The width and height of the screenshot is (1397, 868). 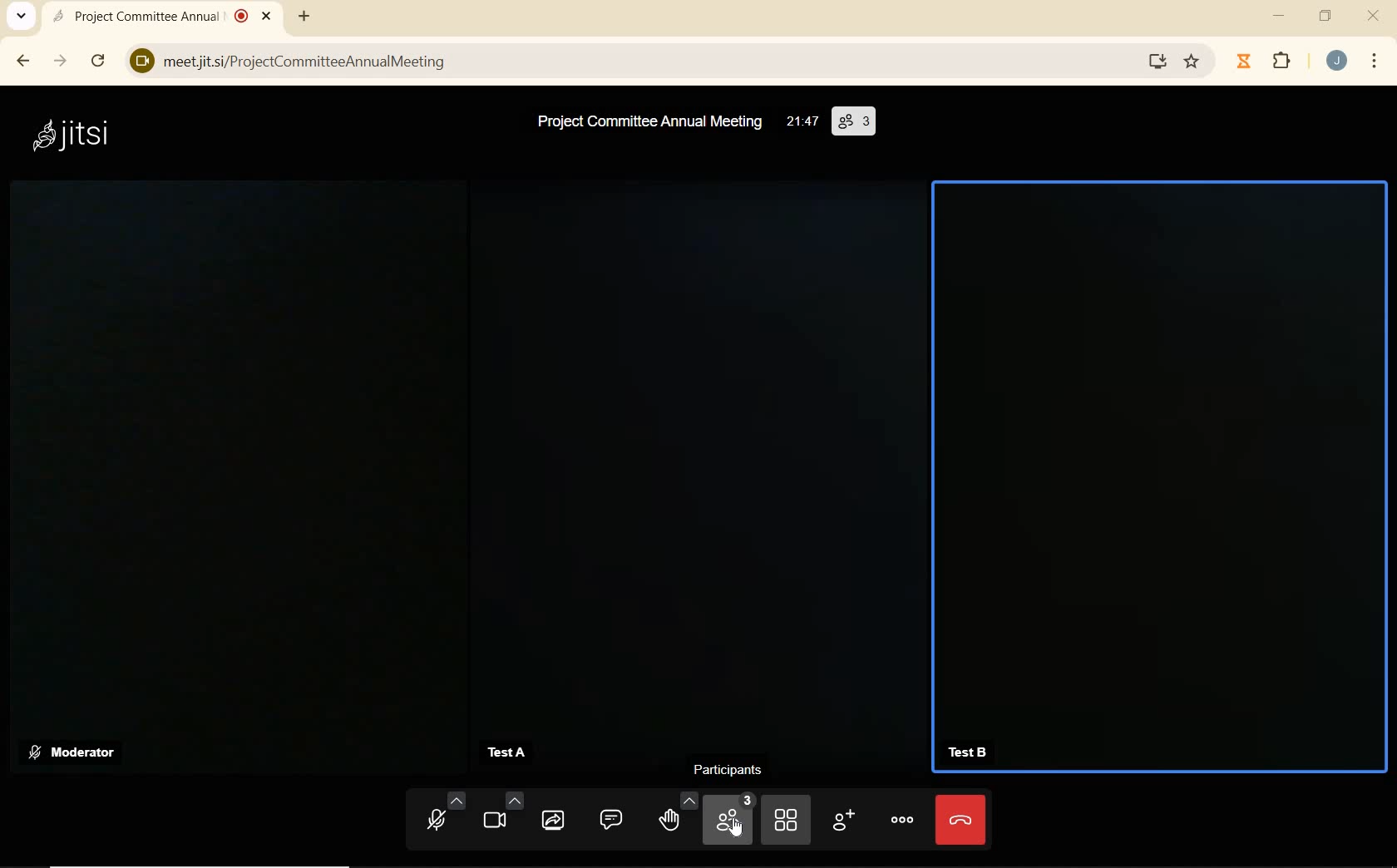 What do you see at coordinates (168, 17) in the screenshot?
I see `Project Committee Annual` at bounding box center [168, 17].